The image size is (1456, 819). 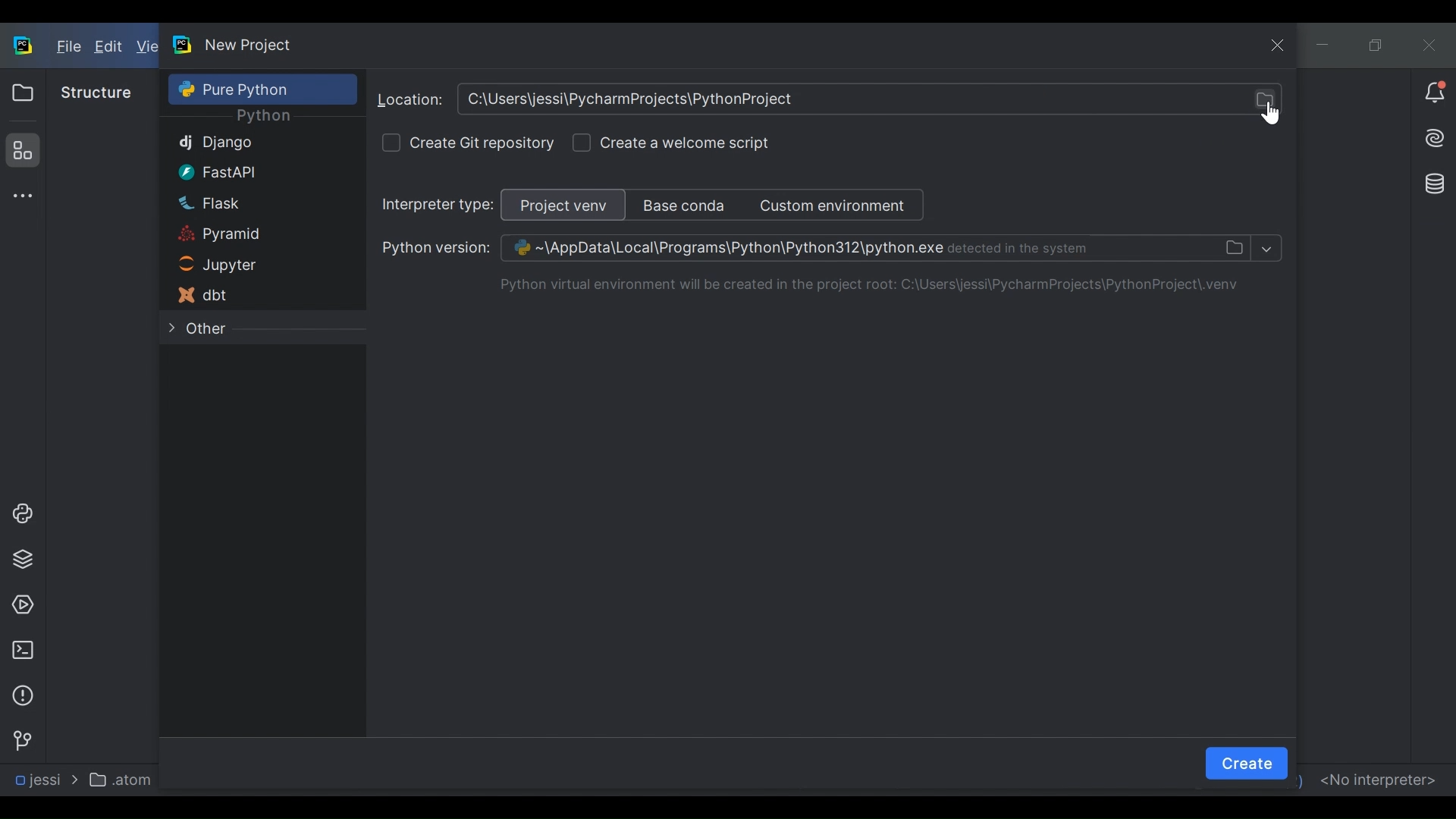 I want to click on Project View, so click(x=22, y=93).